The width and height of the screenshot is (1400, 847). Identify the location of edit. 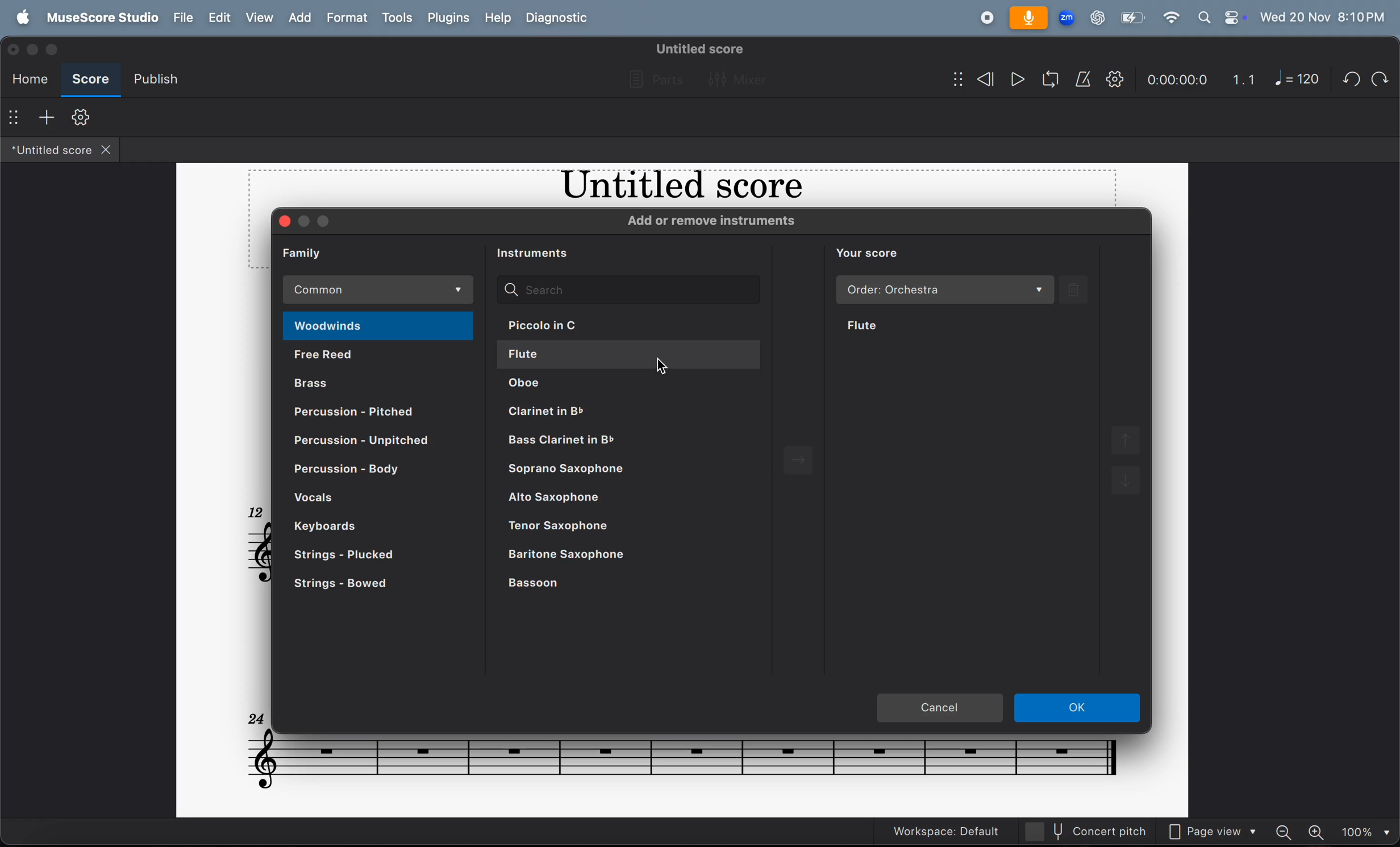
(221, 18).